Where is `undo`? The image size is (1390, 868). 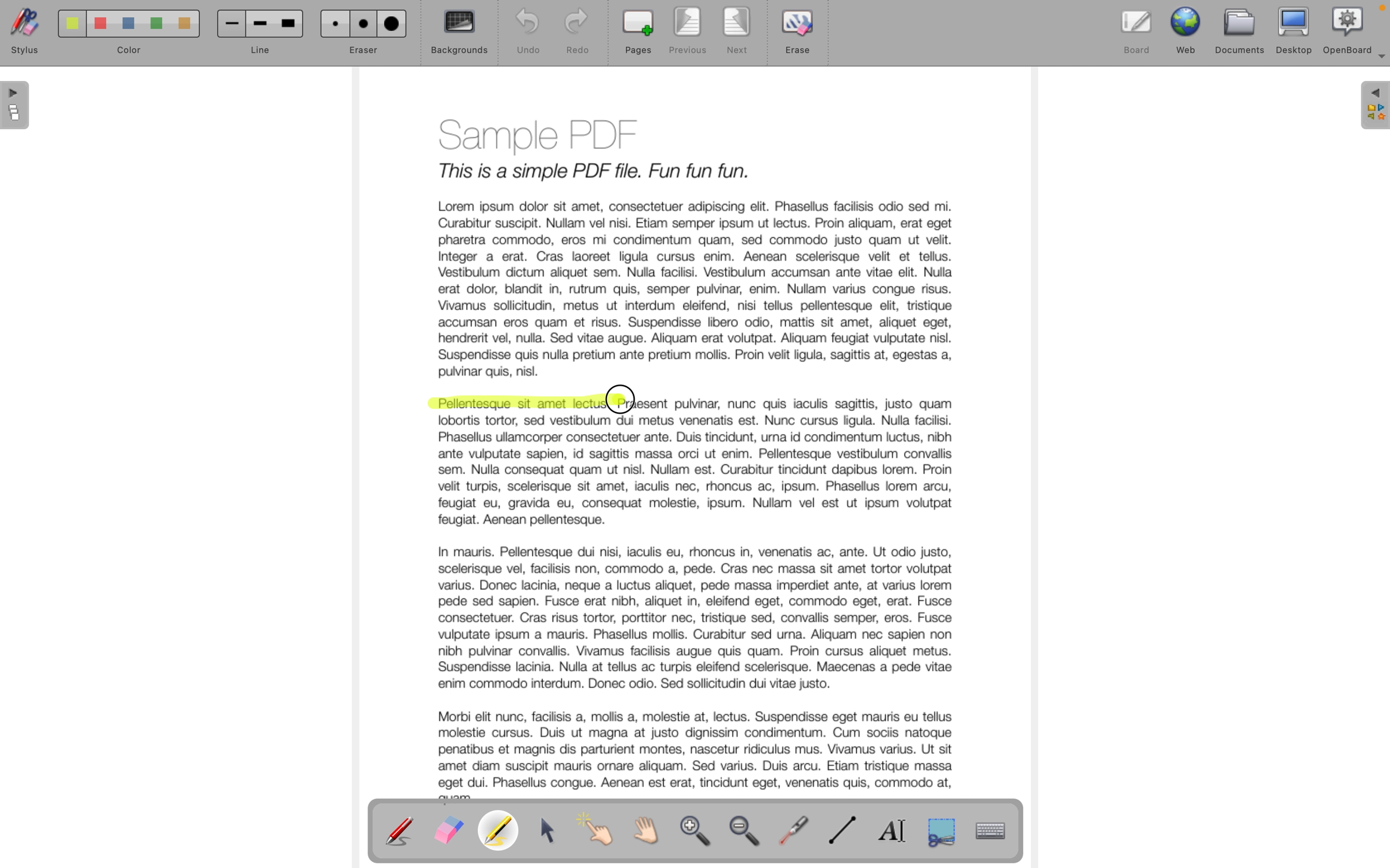 undo is located at coordinates (522, 32).